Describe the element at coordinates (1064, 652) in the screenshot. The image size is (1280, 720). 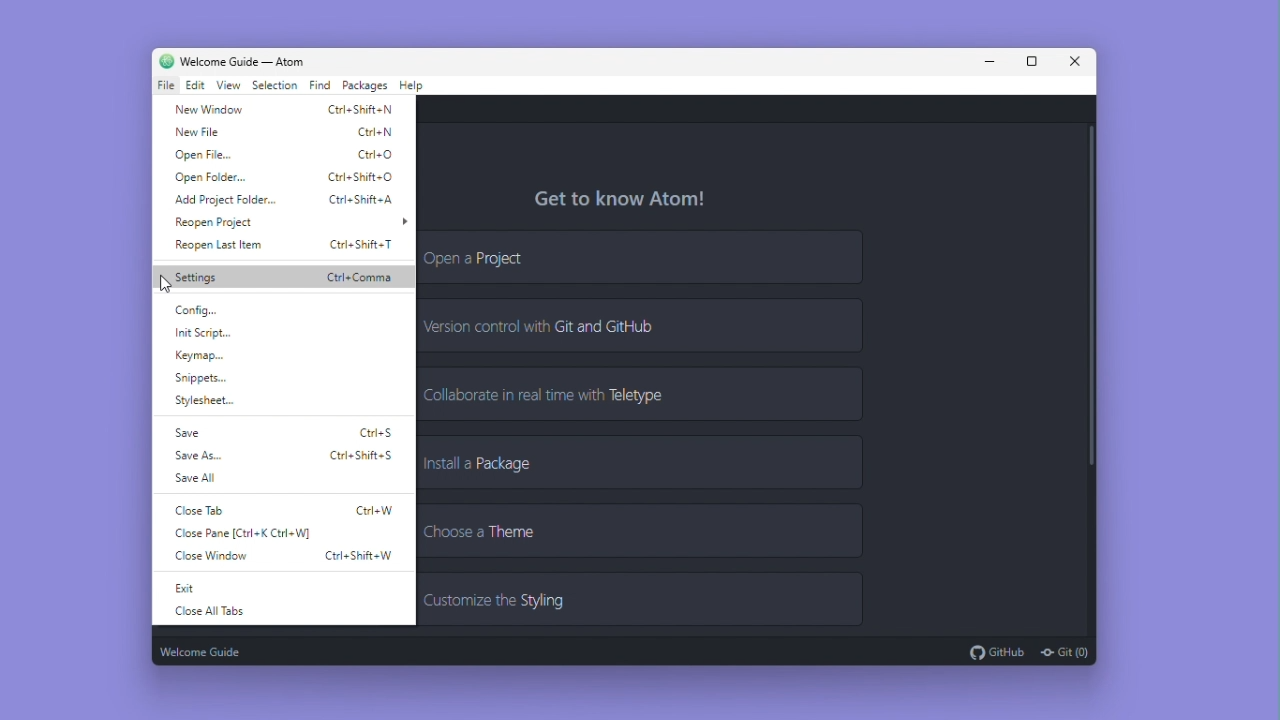
I see `Git (0)` at that location.